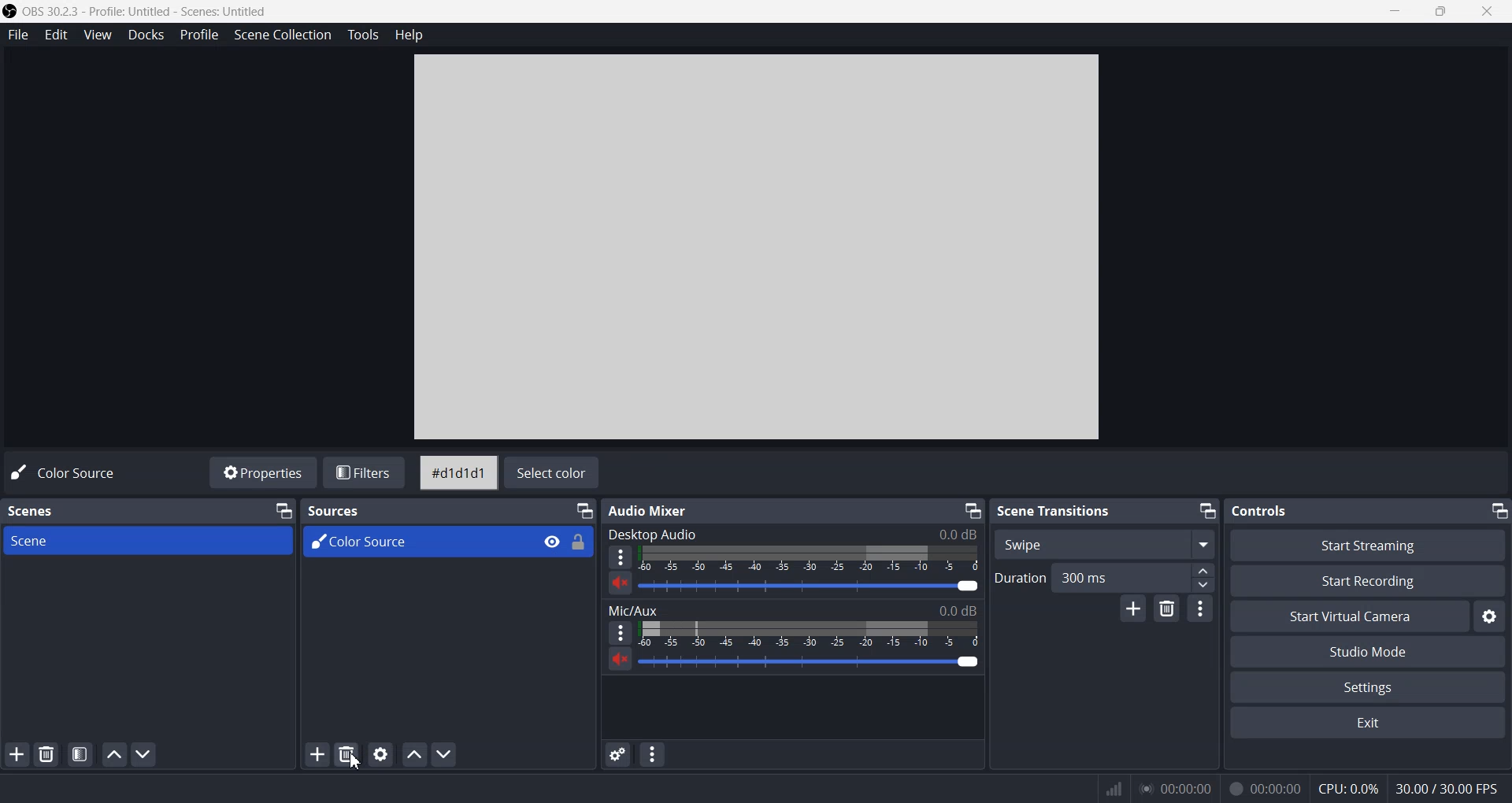 The height and width of the screenshot is (803, 1512). Describe the element at coordinates (1488, 11) in the screenshot. I see `Close` at that location.